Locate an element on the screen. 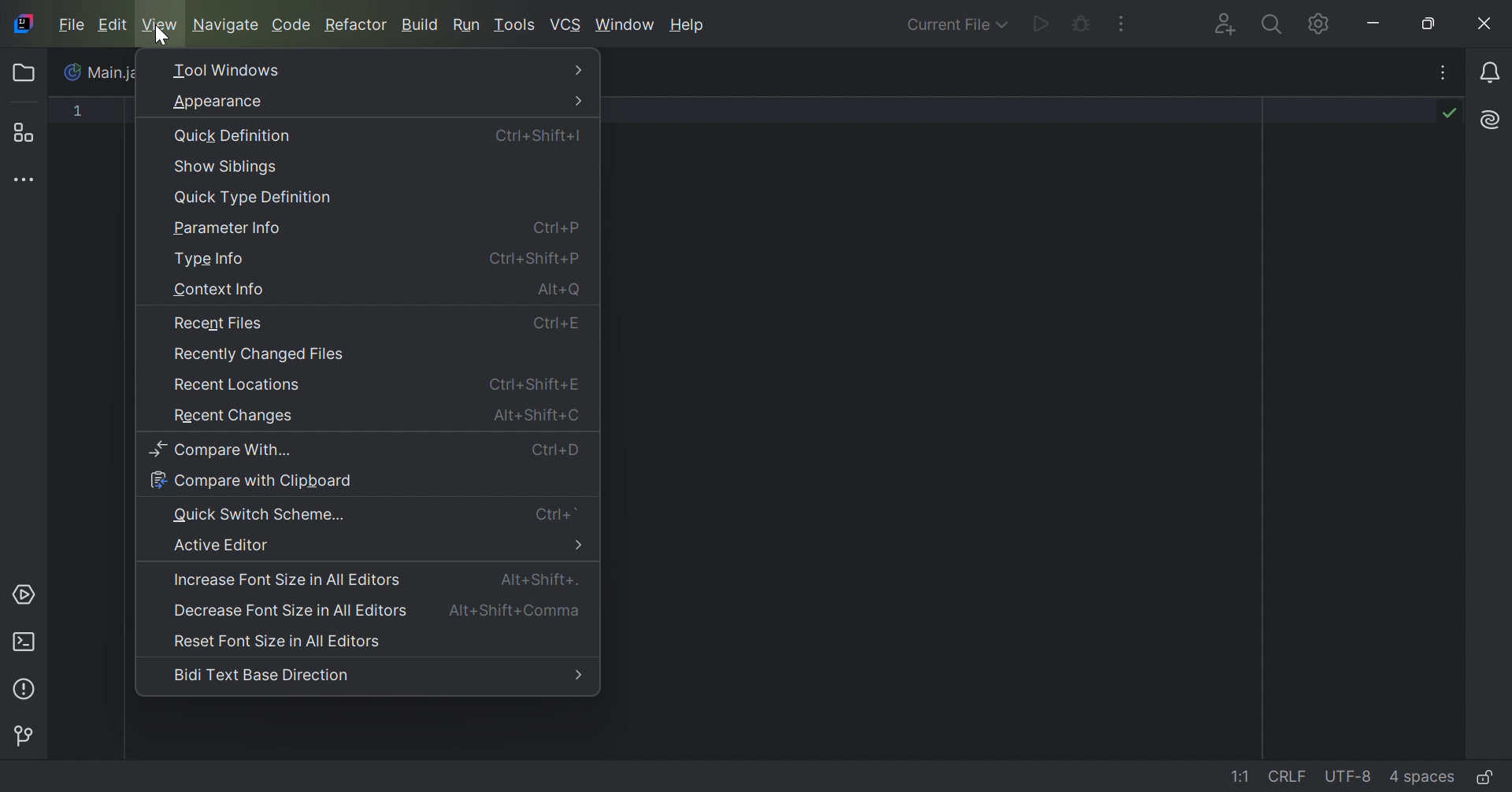 Image resolution: width=1512 pixels, height=792 pixels. Tool Windows is located at coordinates (228, 70).